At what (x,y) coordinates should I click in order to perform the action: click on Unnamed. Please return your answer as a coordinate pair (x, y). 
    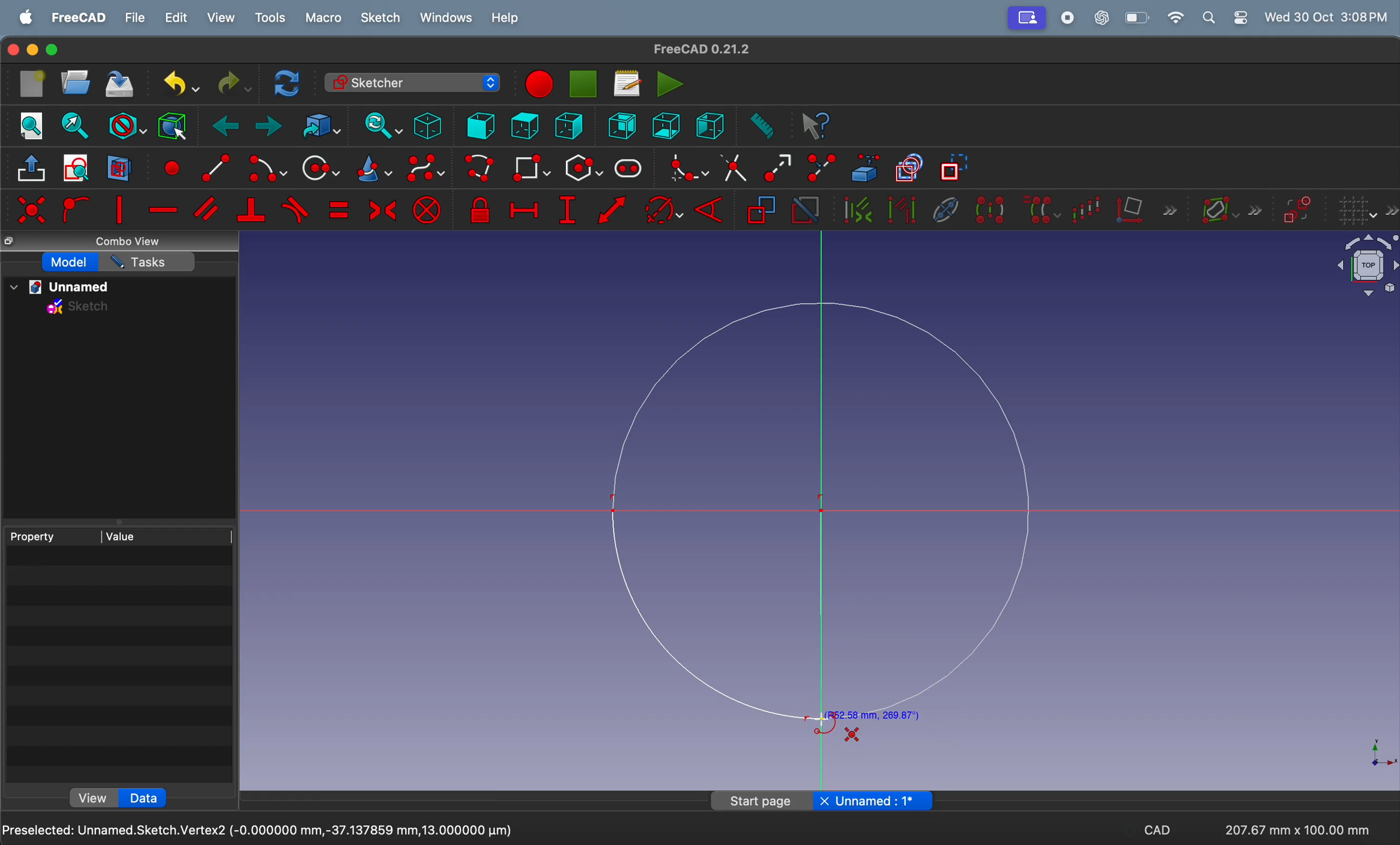
    Looking at the image, I should click on (883, 800).